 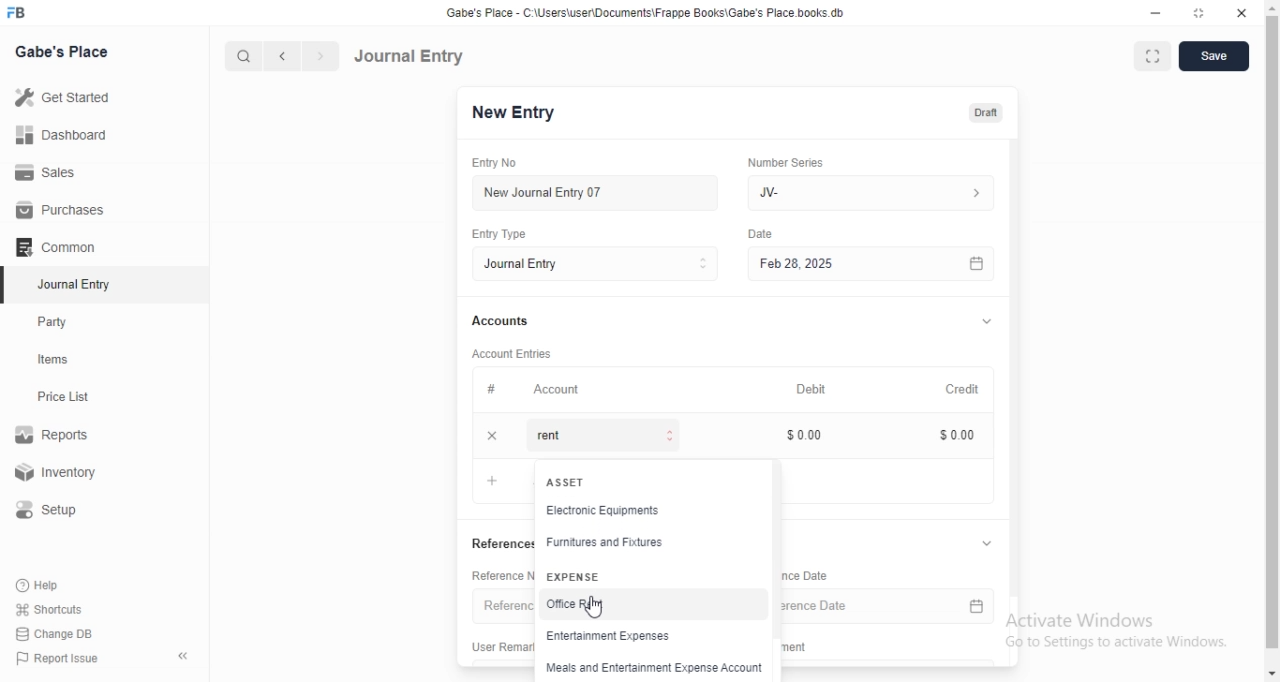 I want to click on $ 0.00, so click(x=811, y=435).